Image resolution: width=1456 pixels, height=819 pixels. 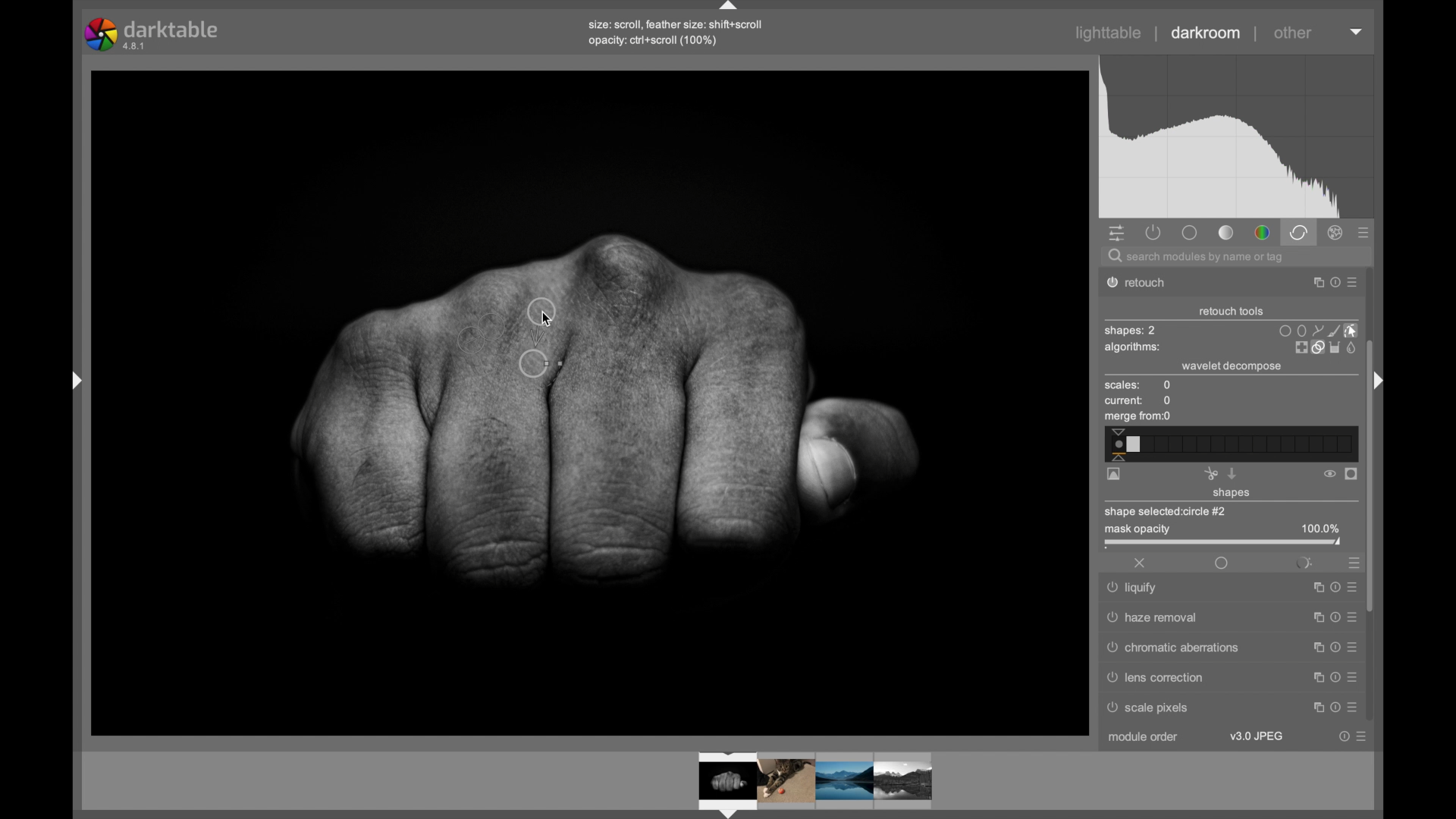 I want to click on size: scroll, feather size: shift+scroll opacity: ctrl+scroll (100%), so click(x=679, y=33).